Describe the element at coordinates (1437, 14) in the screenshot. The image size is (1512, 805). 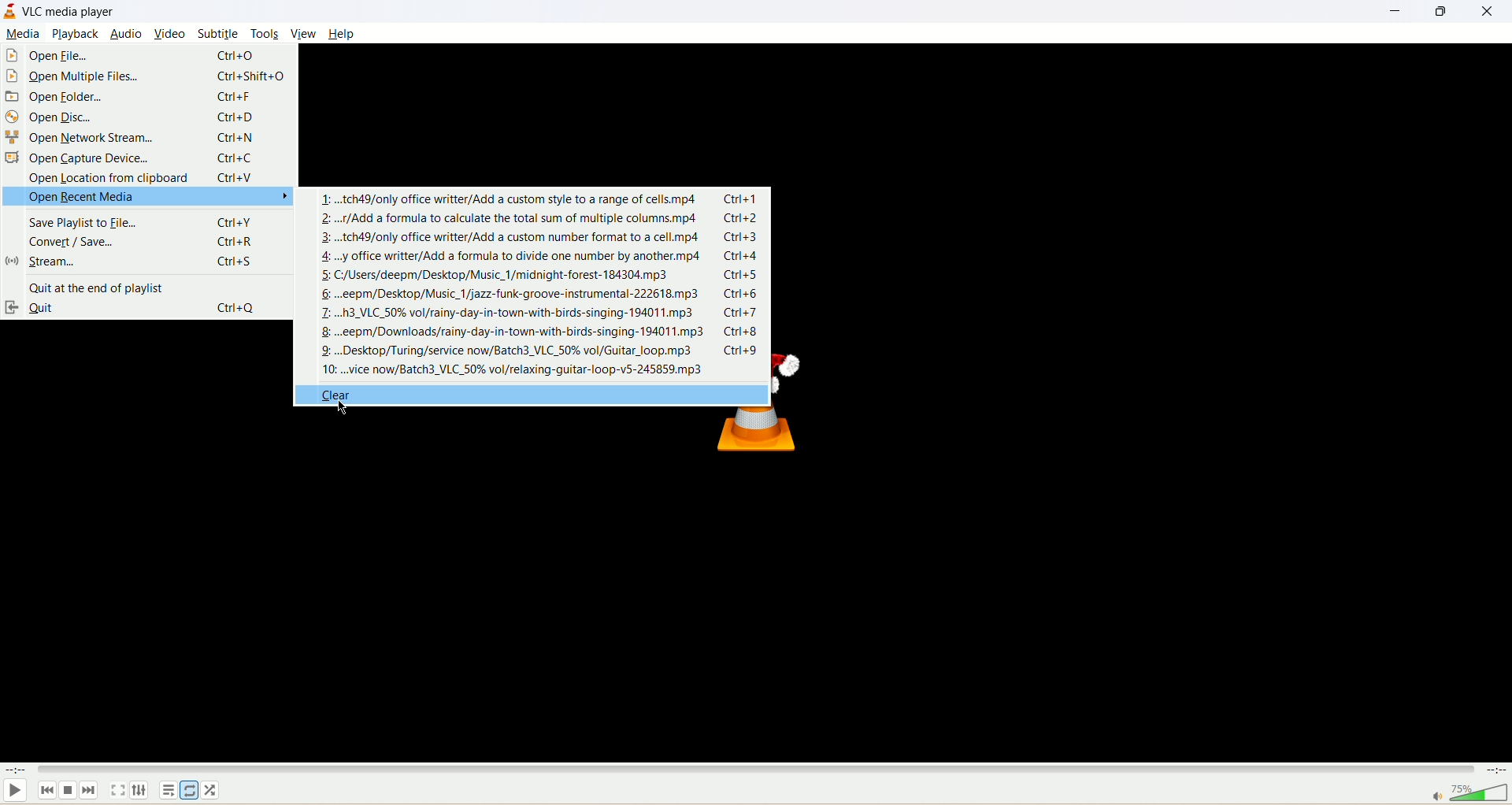
I see `maximize` at that location.